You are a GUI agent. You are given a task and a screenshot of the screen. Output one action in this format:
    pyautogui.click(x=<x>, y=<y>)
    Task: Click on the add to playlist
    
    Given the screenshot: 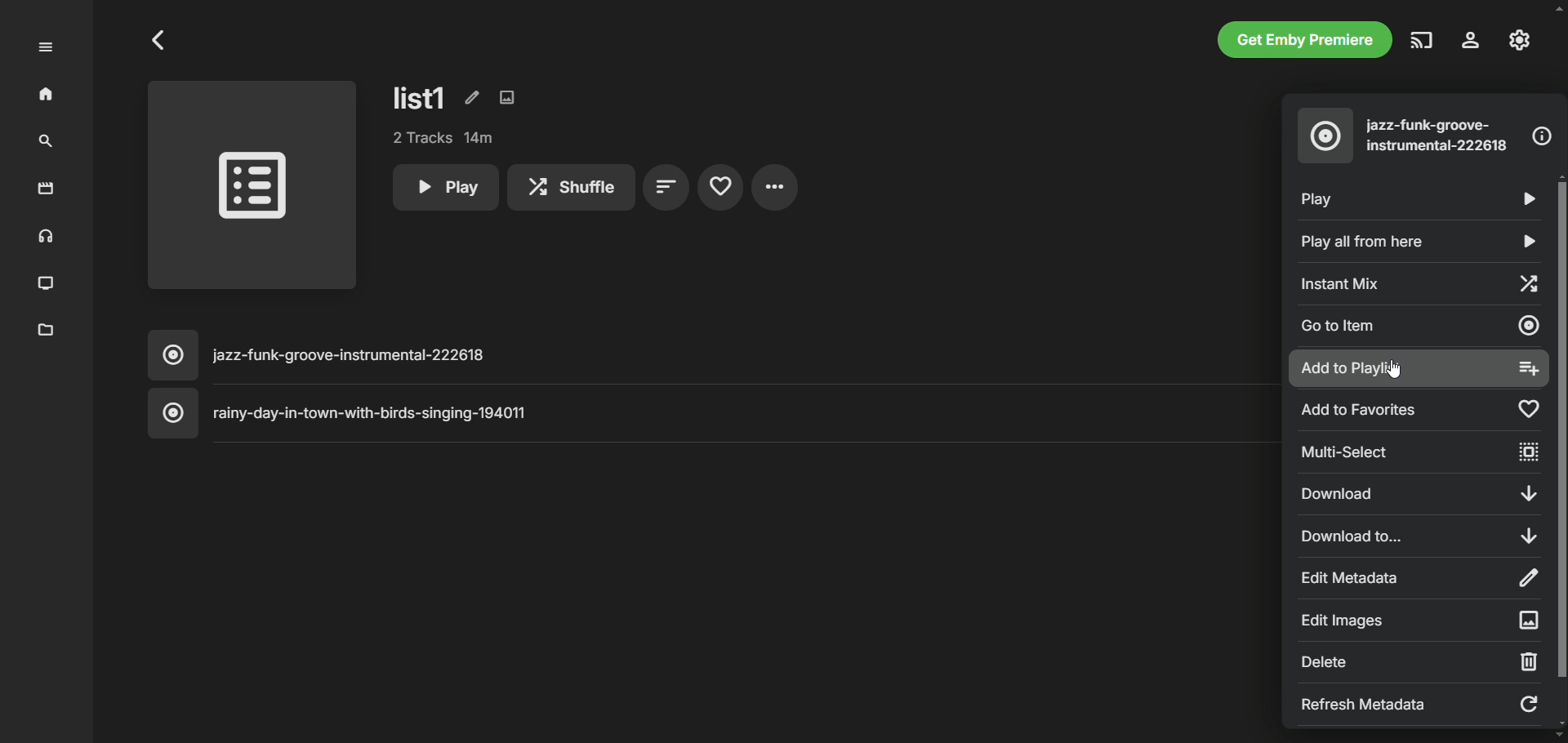 What is the action you would take?
    pyautogui.click(x=1419, y=369)
    